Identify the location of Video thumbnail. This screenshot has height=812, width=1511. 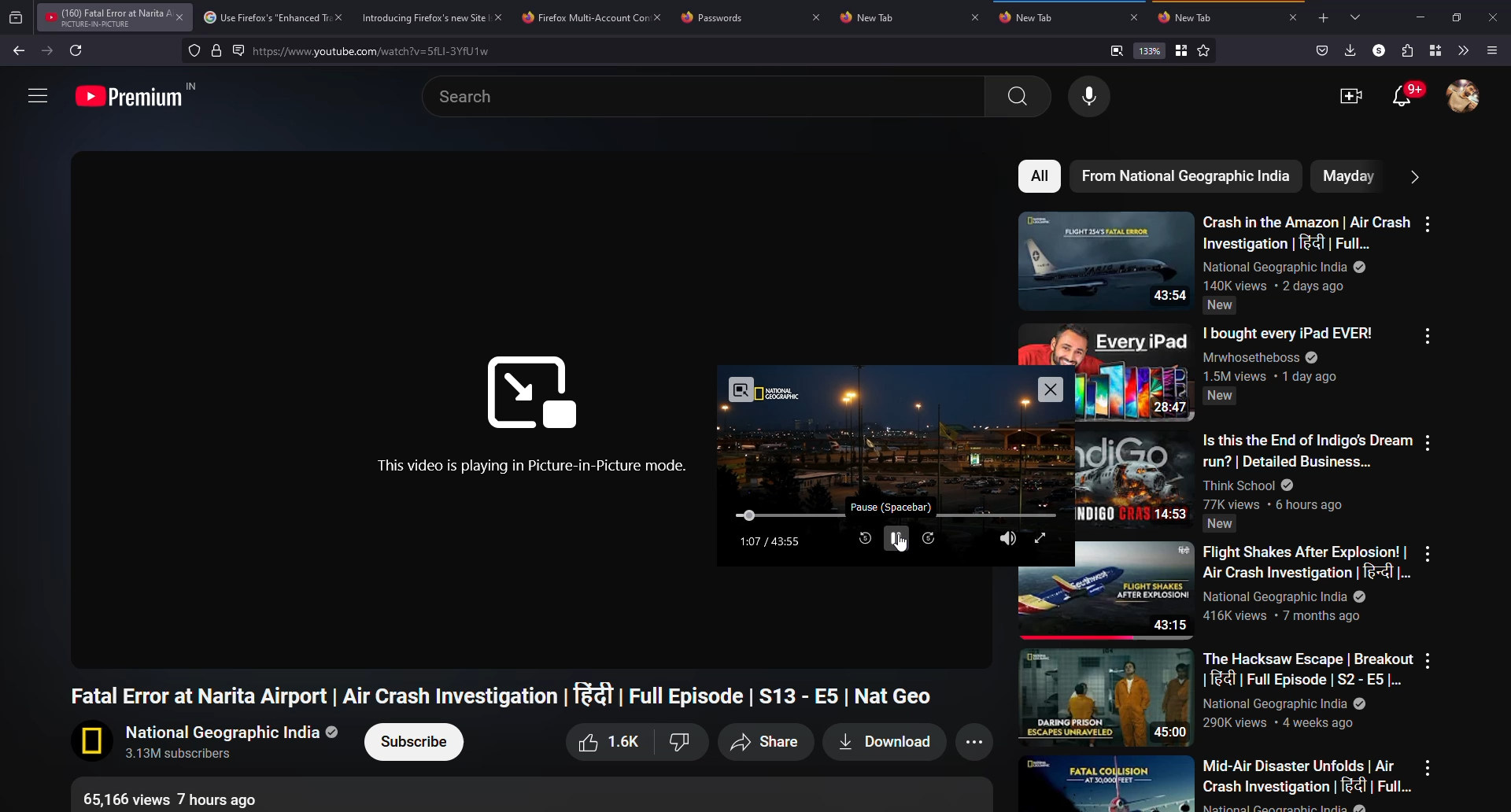
(1136, 480).